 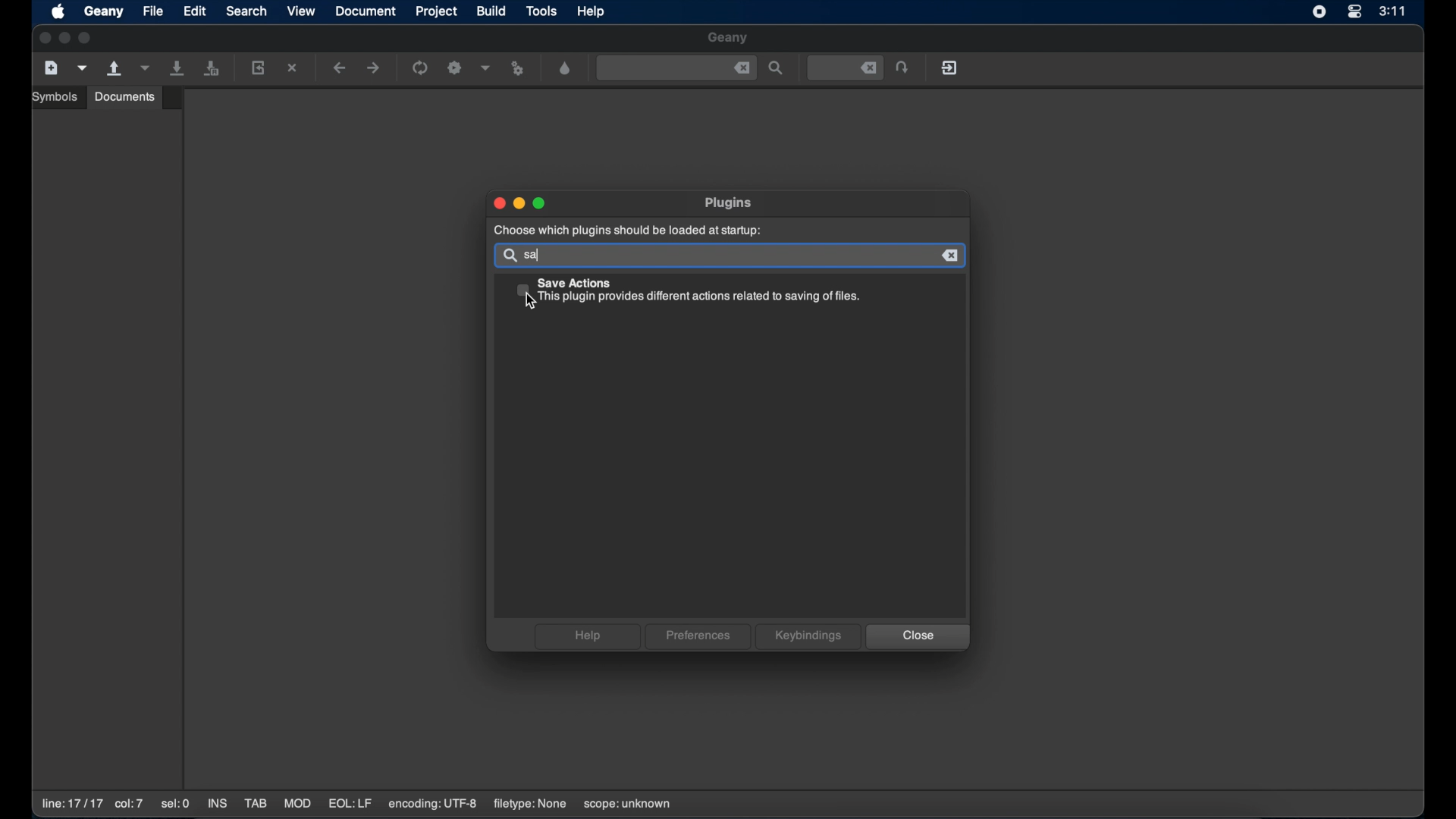 What do you see at coordinates (535, 256) in the screenshot?
I see `sa` at bounding box center [535, 256].